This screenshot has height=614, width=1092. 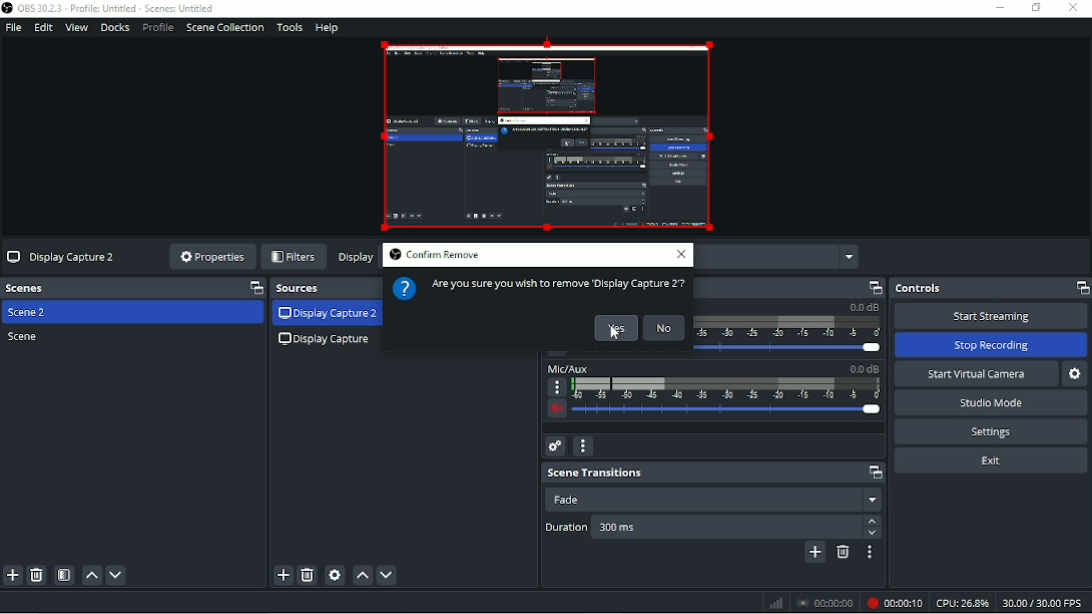 What do you see at coordinates (989, 288) in the screenshot?
I see `Controls` at bounding box center [989, 288].